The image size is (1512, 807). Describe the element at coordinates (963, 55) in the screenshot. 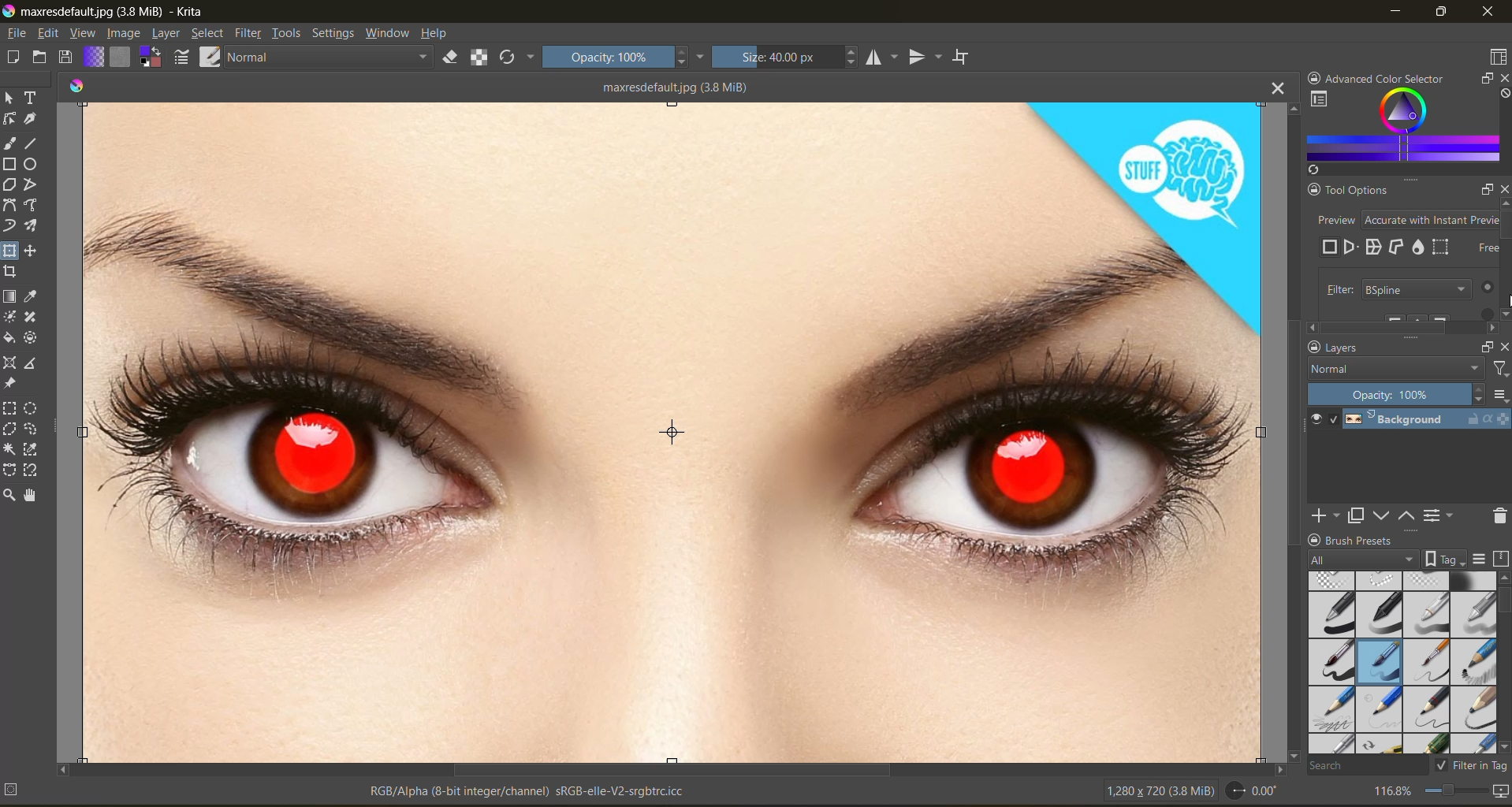

I see `wrap around mode` at that location.